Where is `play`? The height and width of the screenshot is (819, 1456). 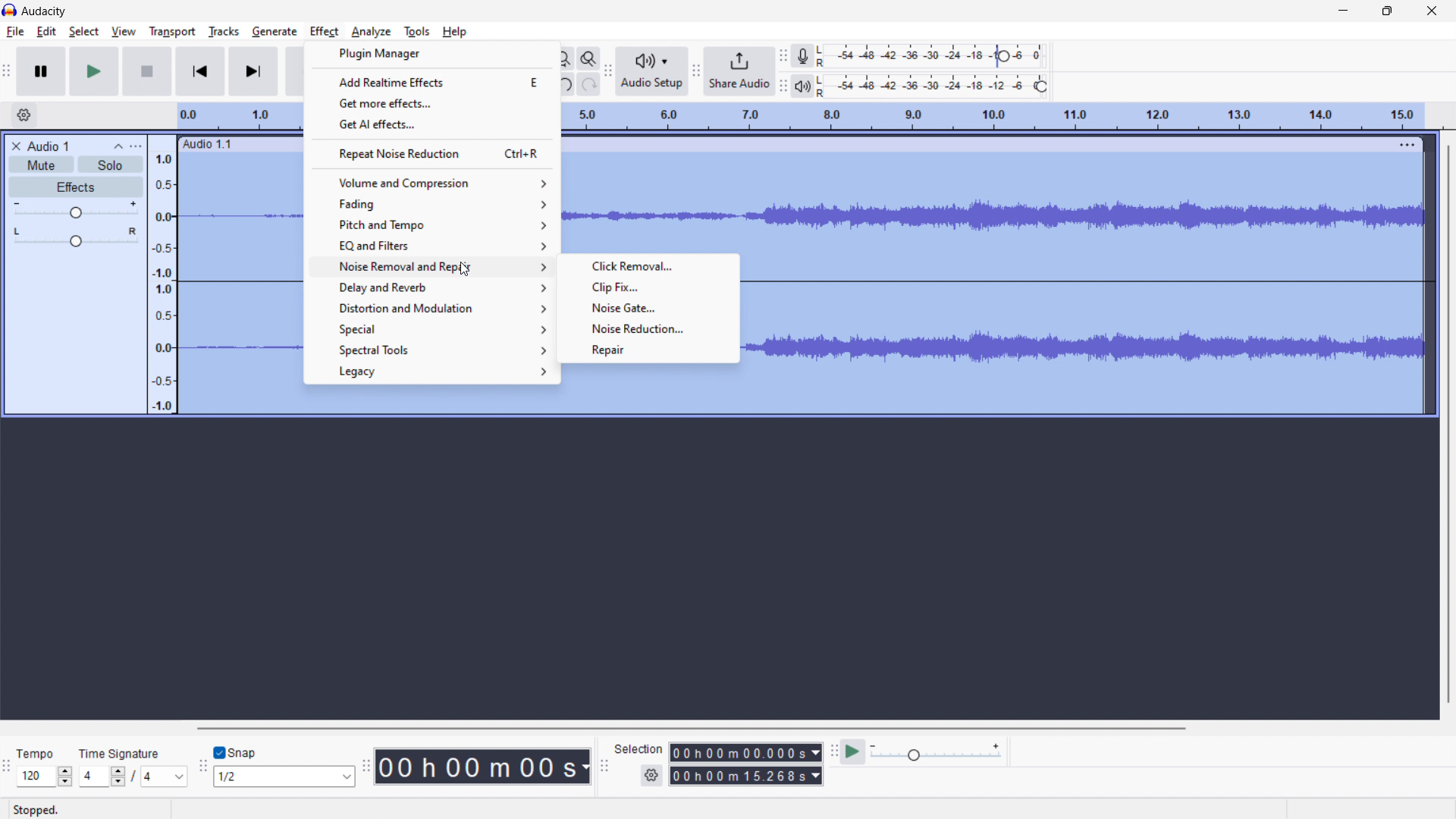
play is located at coordinates (96, 71).